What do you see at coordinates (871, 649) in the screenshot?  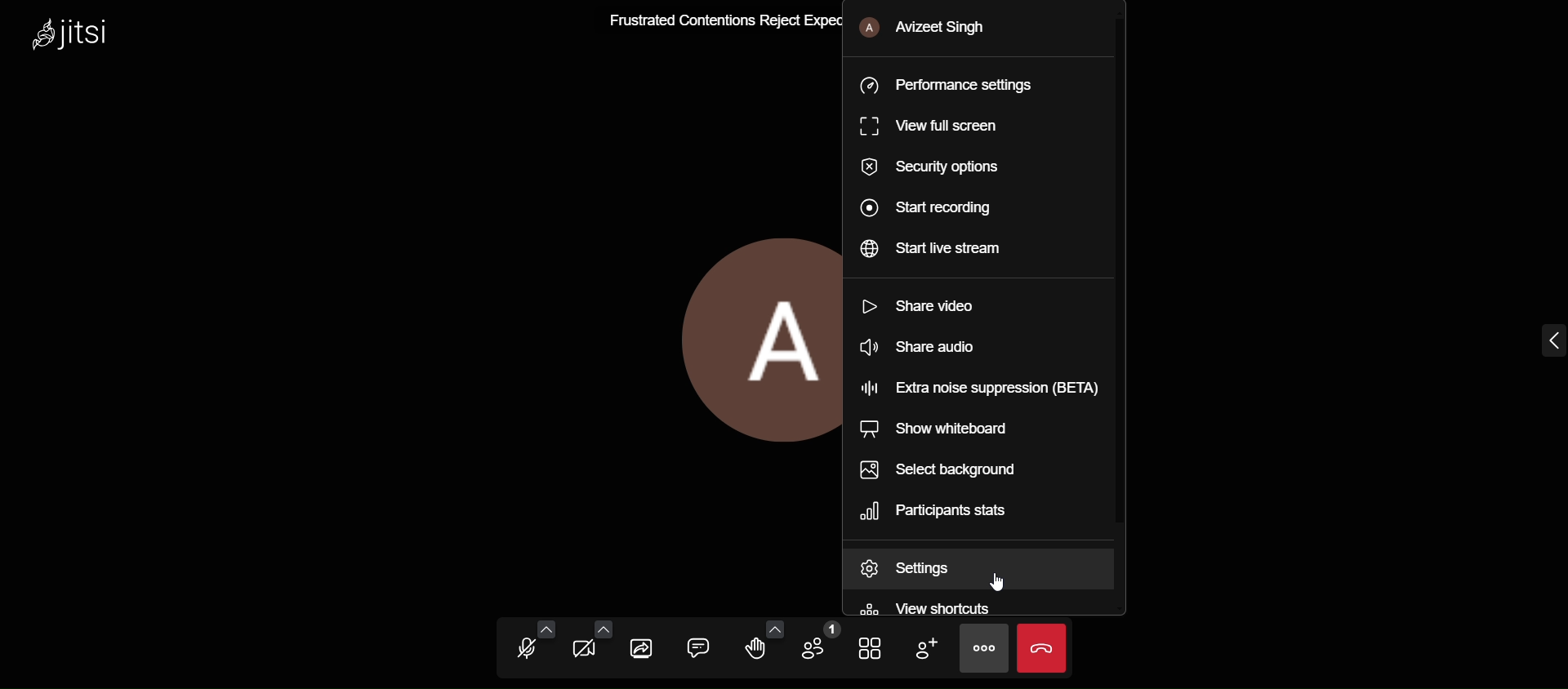 I see `toggle view` at bounding box center [871, 649].